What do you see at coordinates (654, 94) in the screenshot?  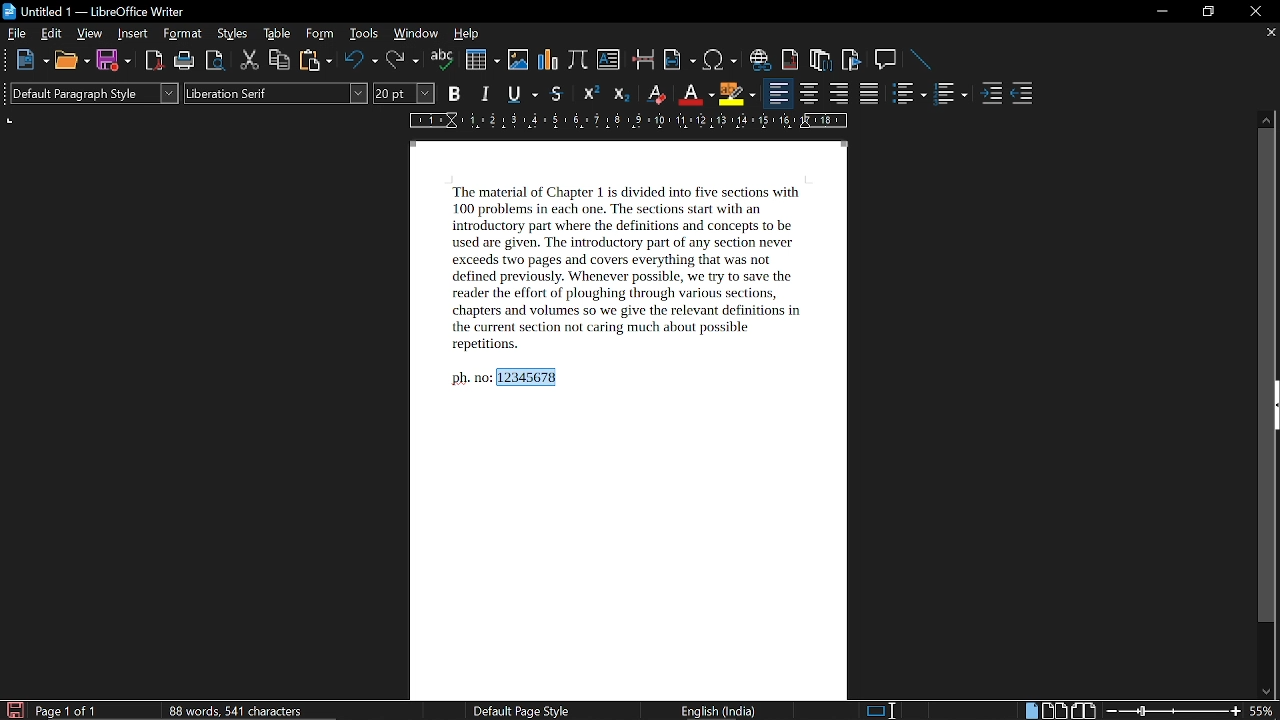 I see `eraser` at bounding box center [654, 94].